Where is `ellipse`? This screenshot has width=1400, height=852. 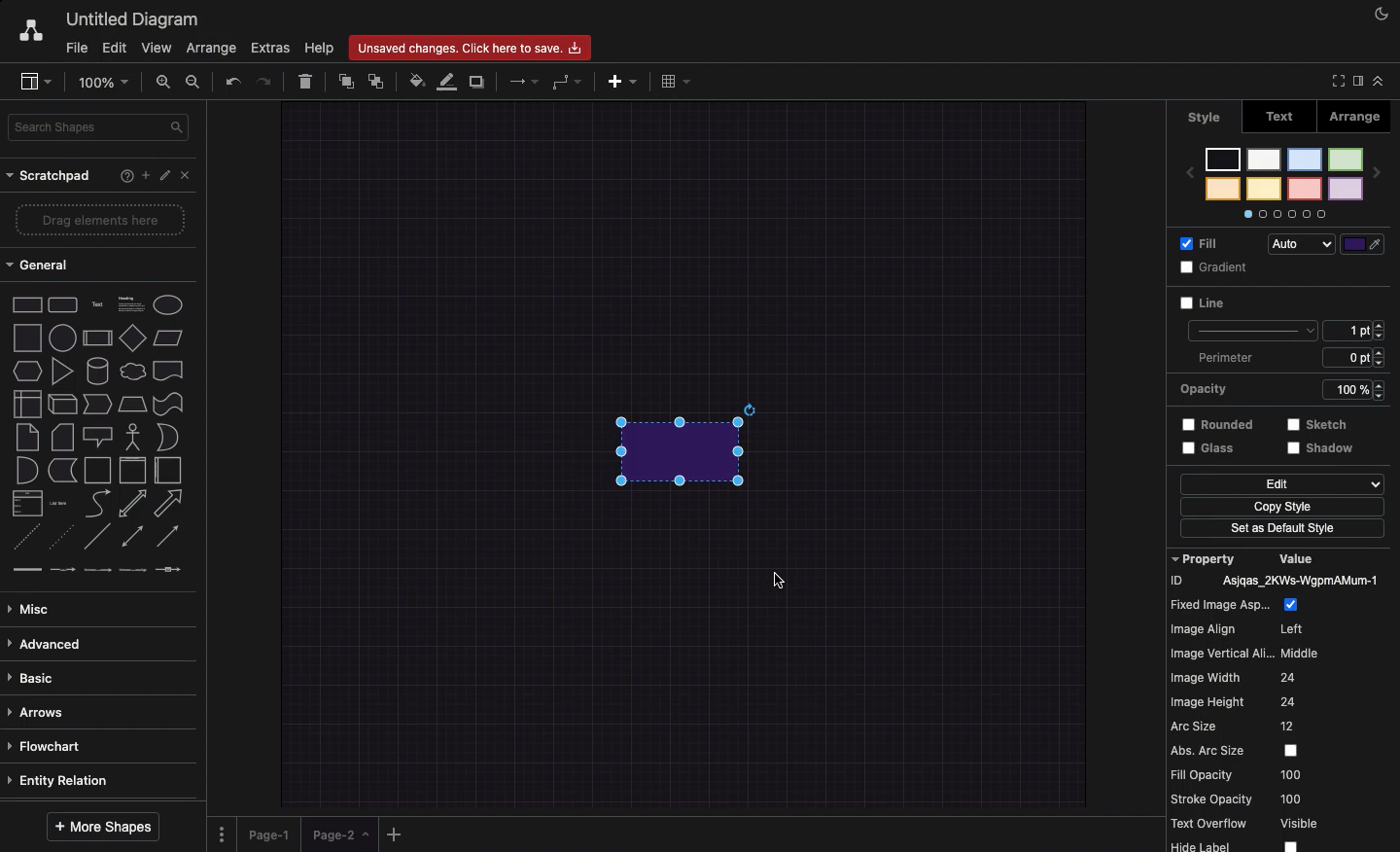 ellipse is located at coordinates (168, 302).